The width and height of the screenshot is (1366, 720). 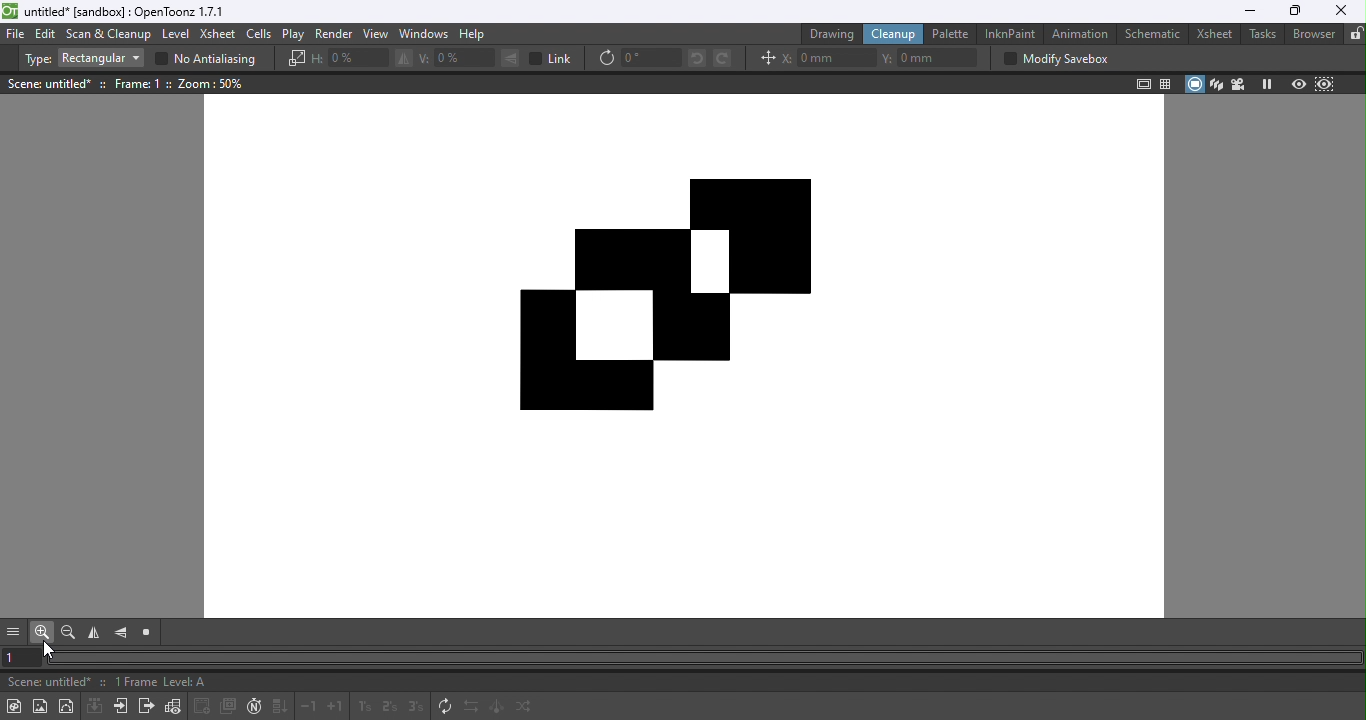 What do you see at coordinates (829, 34) in the screenshot?
I see `Drawing` at bounding box center [829, 34].